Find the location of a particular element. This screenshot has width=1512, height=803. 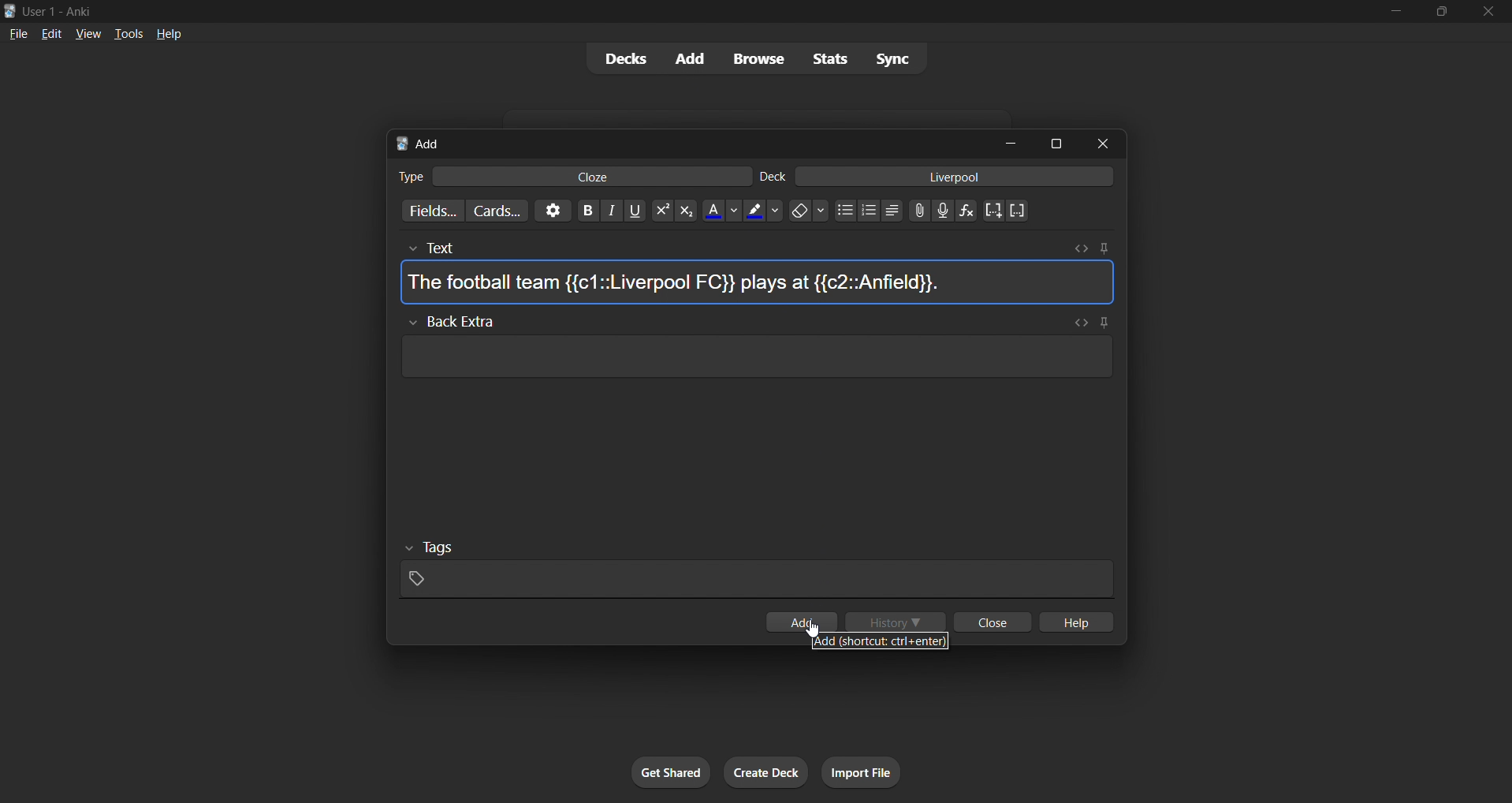

card text field is located at coordinates (759, 285).